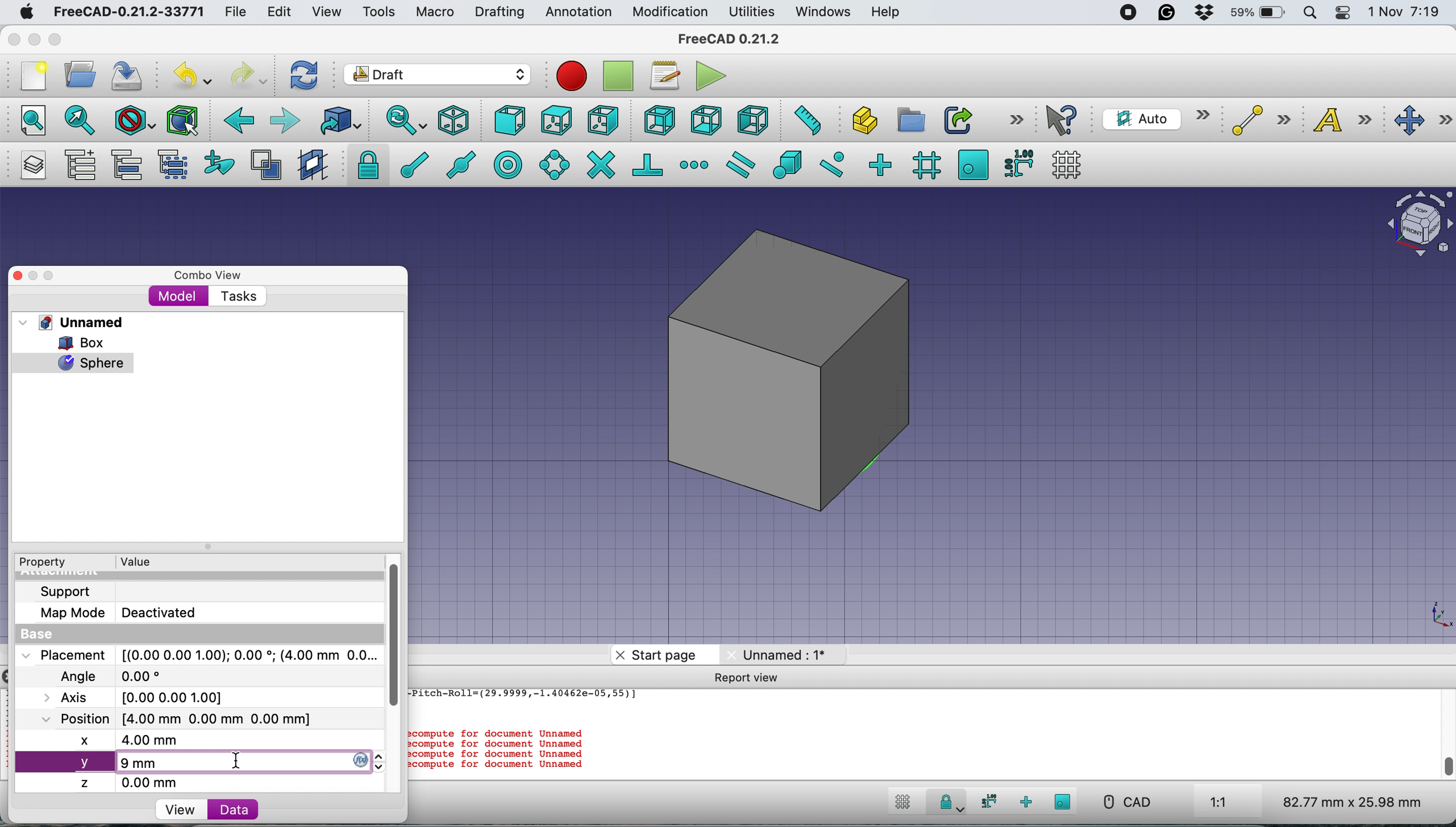 The width and height of the screenshot is (1456, 827). Describe the element at coordinates (458, 120) in the screenshot. I see `isometric` at that location.